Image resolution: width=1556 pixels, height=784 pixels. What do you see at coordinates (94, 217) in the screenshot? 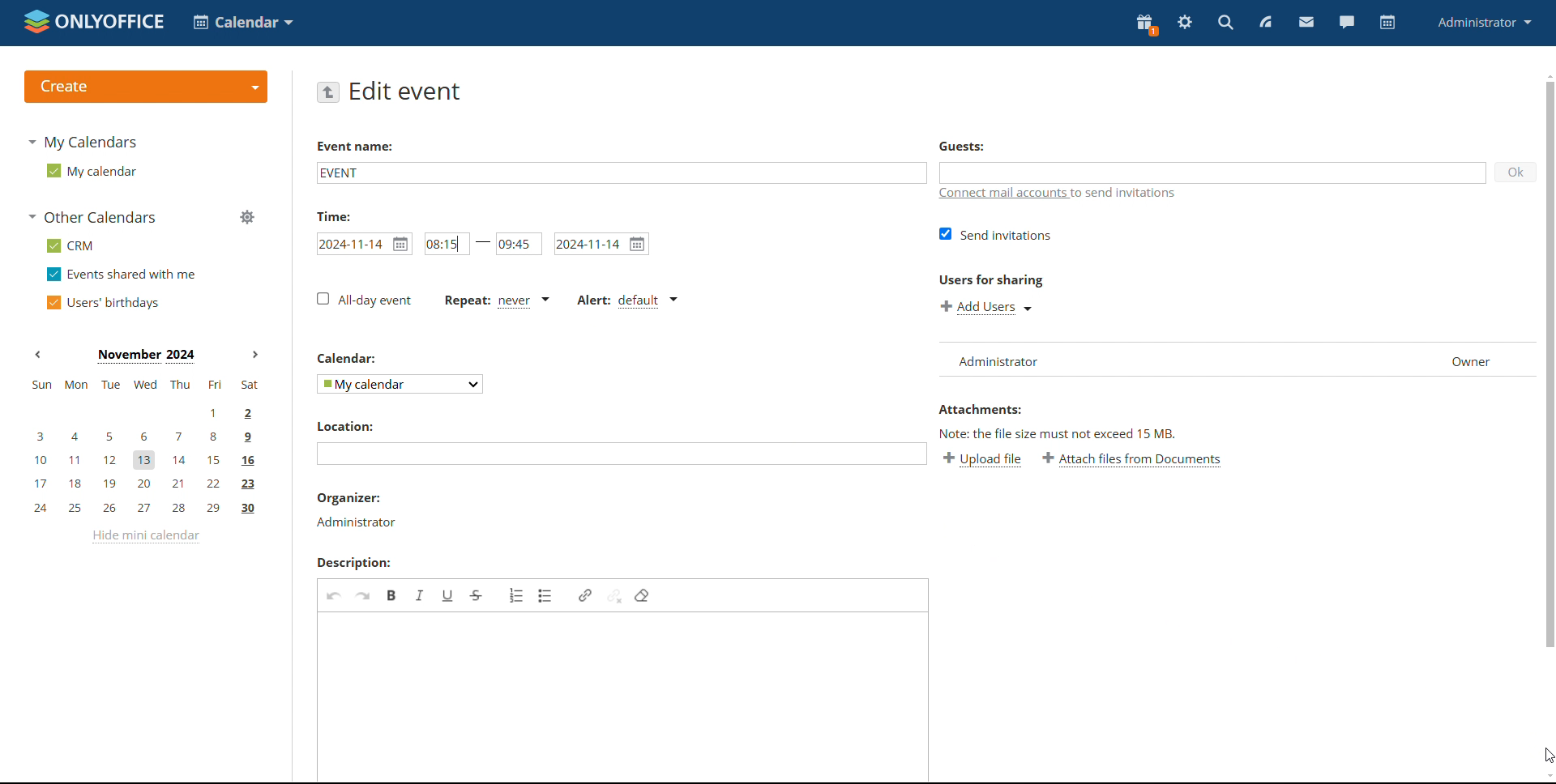
I see `other calendars` at bounding box center [94, 217].